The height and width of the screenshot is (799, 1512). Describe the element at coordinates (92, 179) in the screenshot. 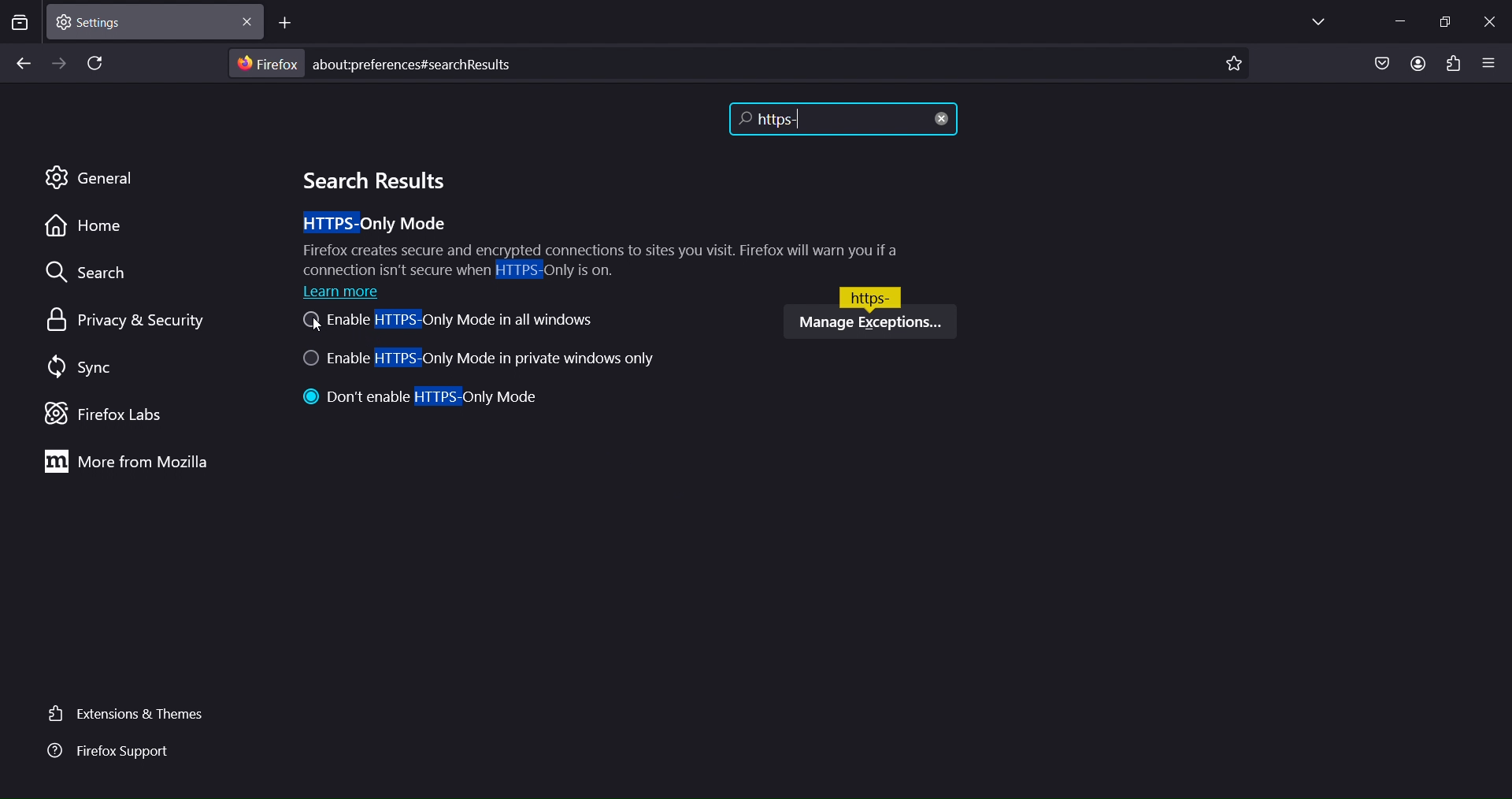

I see `general` at that location.